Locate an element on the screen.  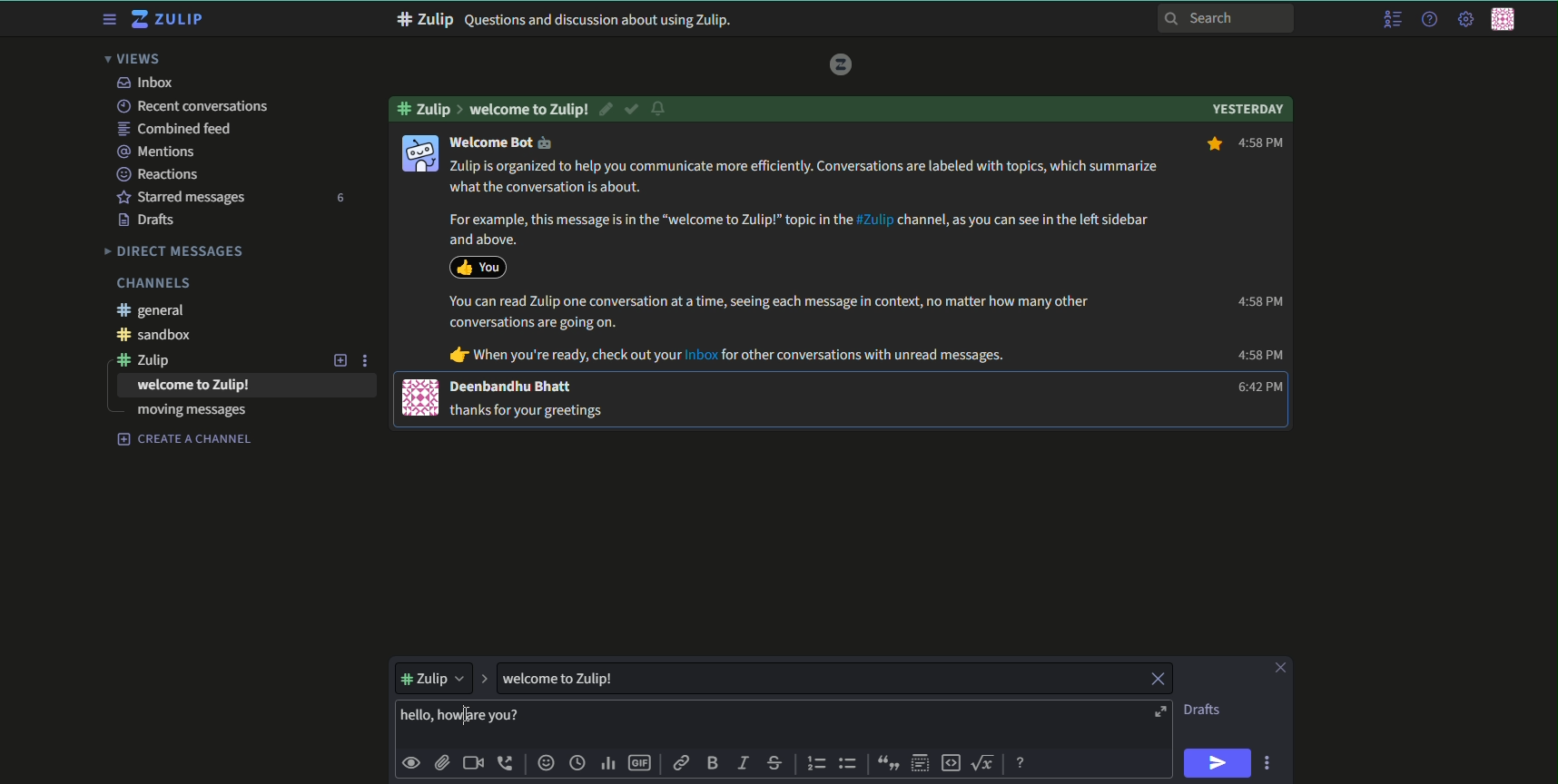
strikethrough is located at coordinates (775, 763).